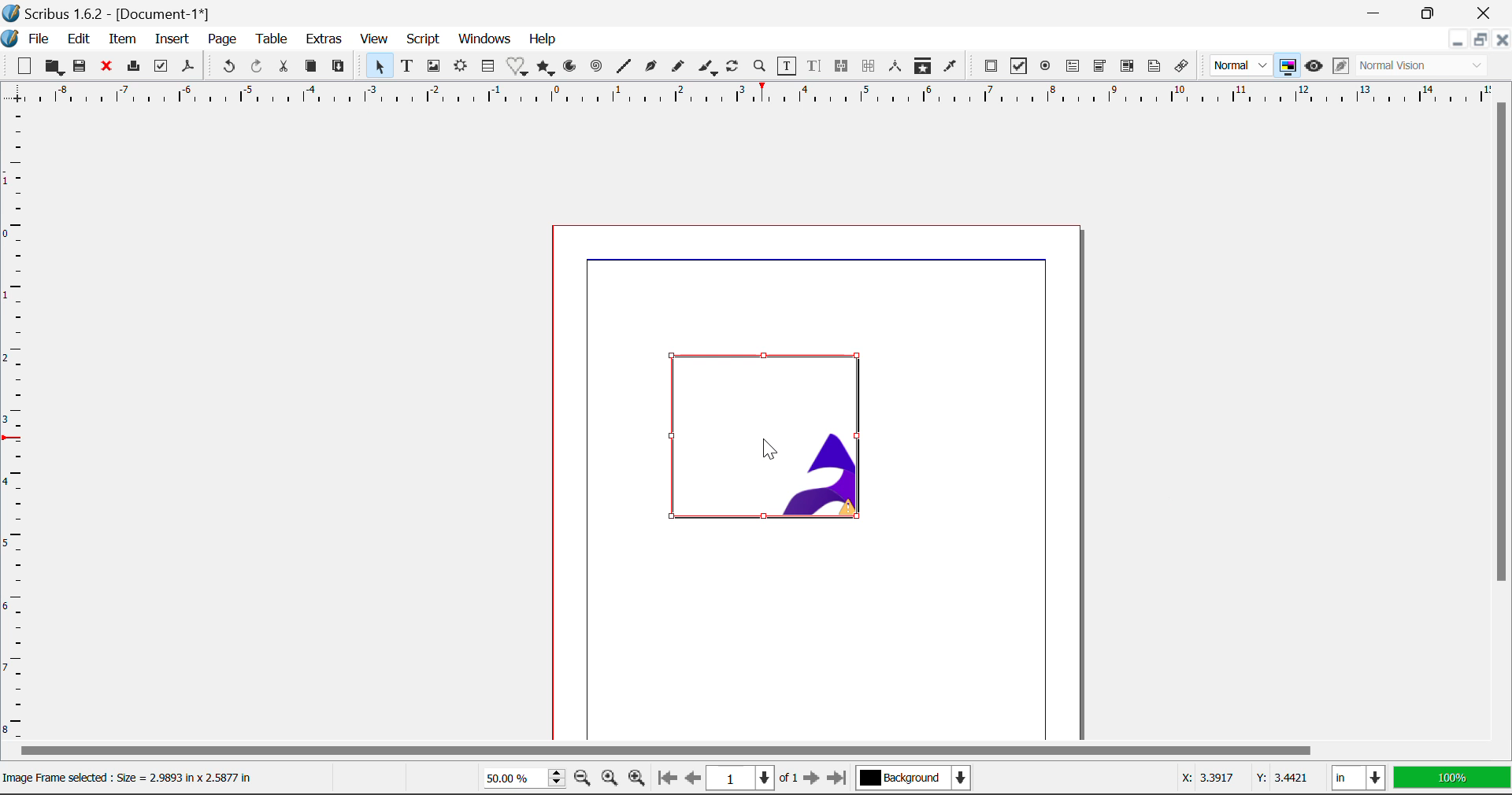 The width and height of the screenshot is (1512, 795). What do you see at coordinates (134, 779) in the screenshot?
I see `Application Information` at bounding box center [134, 779].